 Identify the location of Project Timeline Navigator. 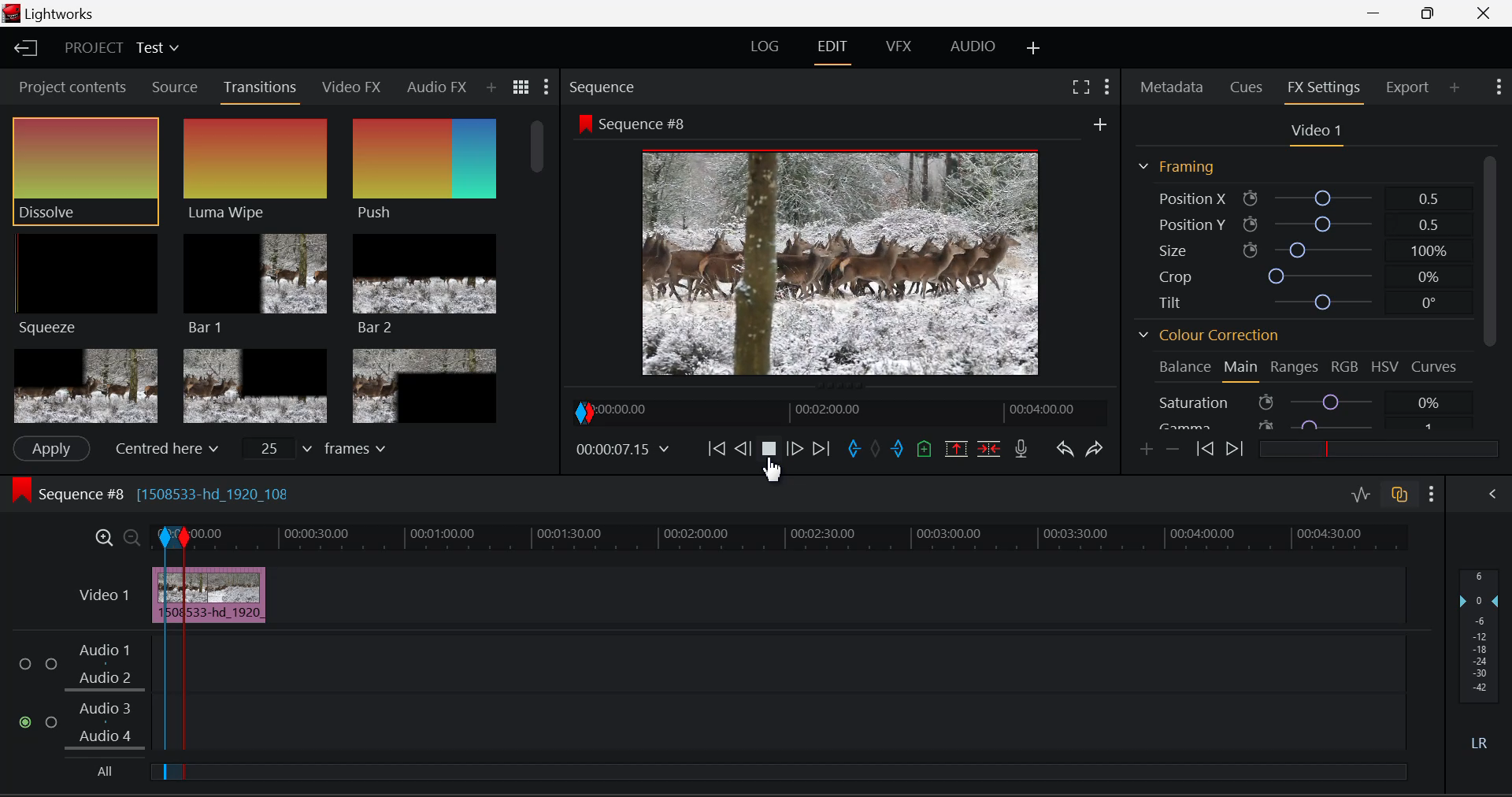
(837, 411).